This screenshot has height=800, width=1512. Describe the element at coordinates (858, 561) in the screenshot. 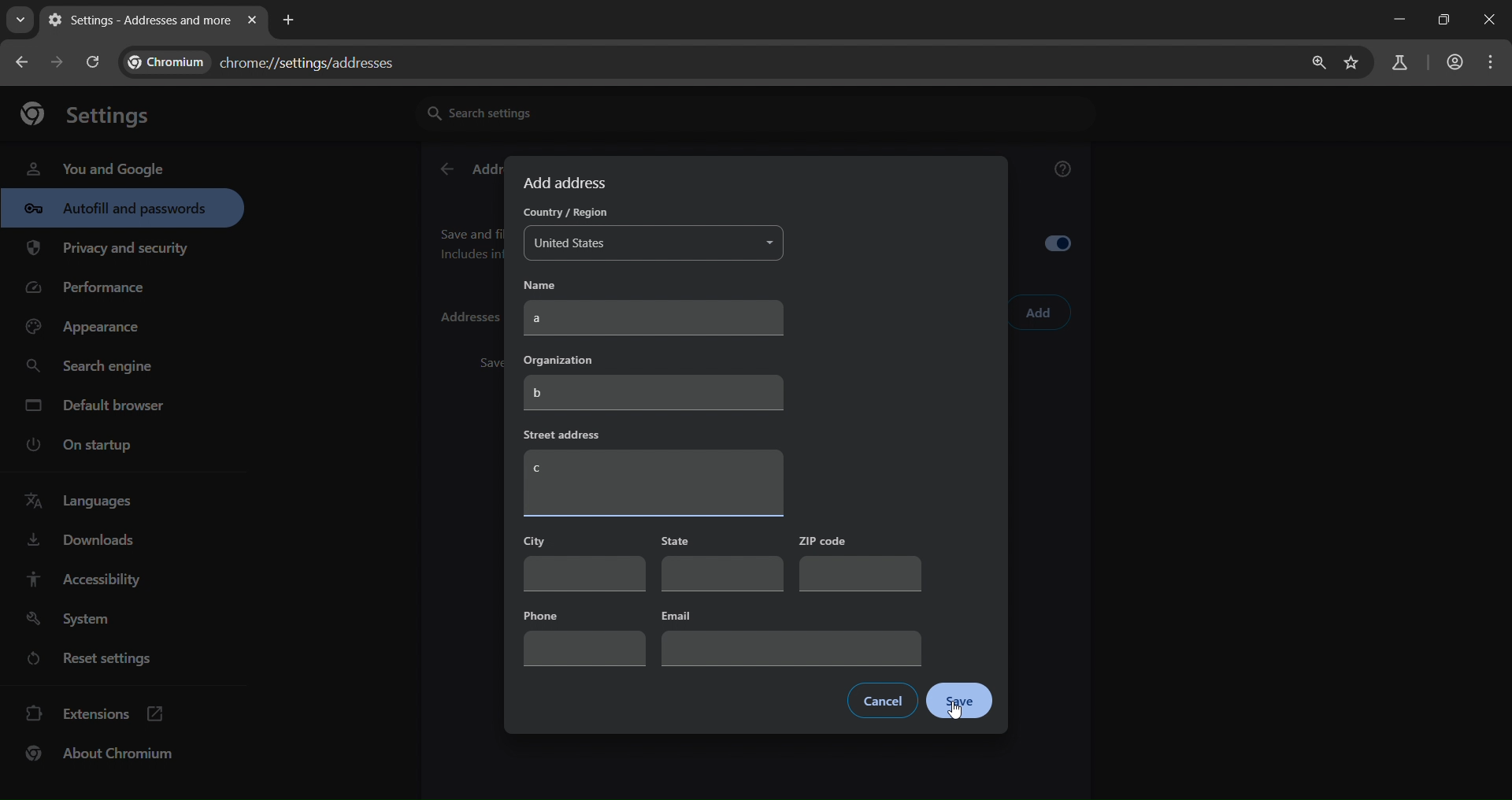

I see `zip code` at that location.